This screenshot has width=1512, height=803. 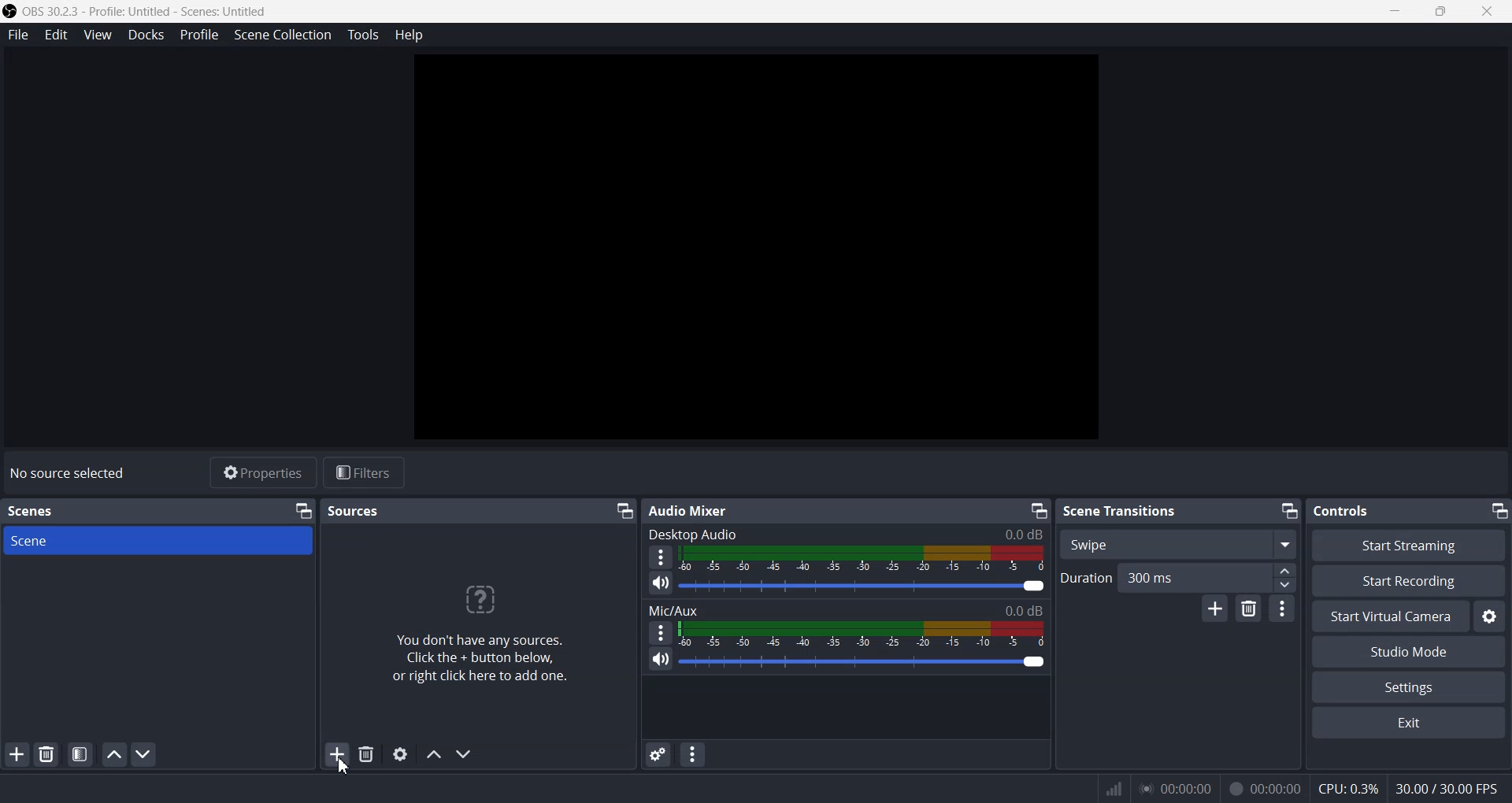 I want to click on Minimize, so click(x=302, y=511).